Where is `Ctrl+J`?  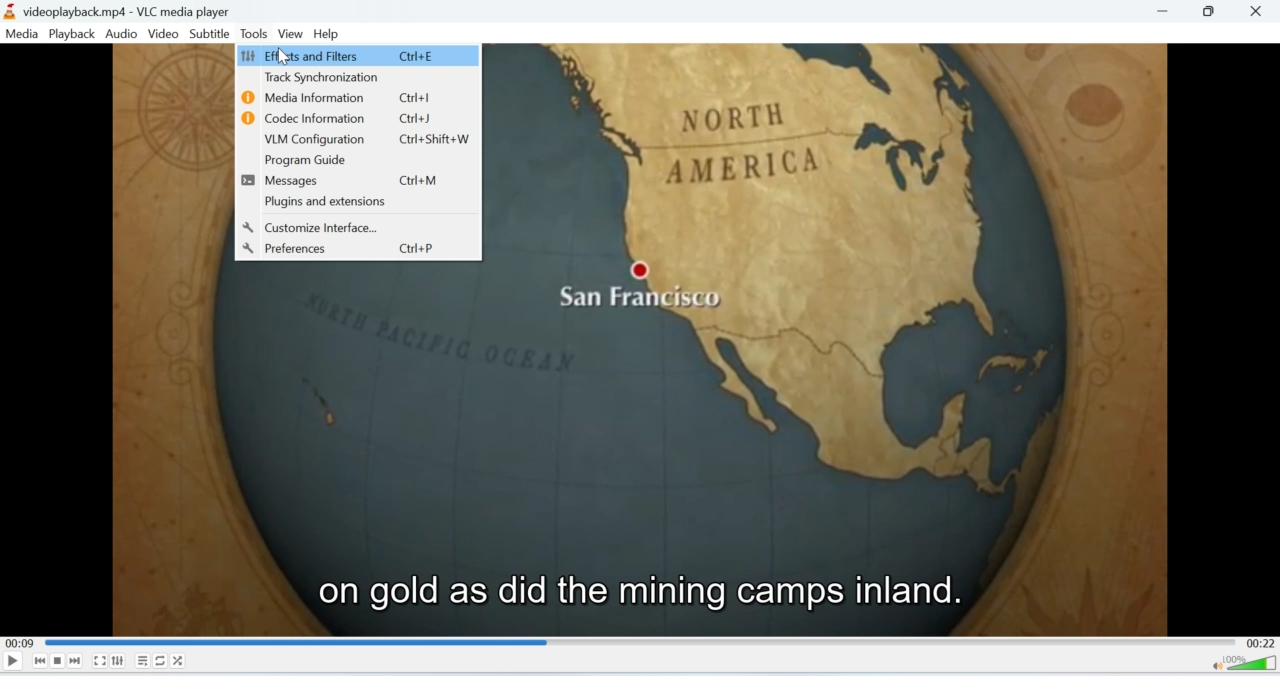
Ctrl+J is located at coordinates (421, 119).